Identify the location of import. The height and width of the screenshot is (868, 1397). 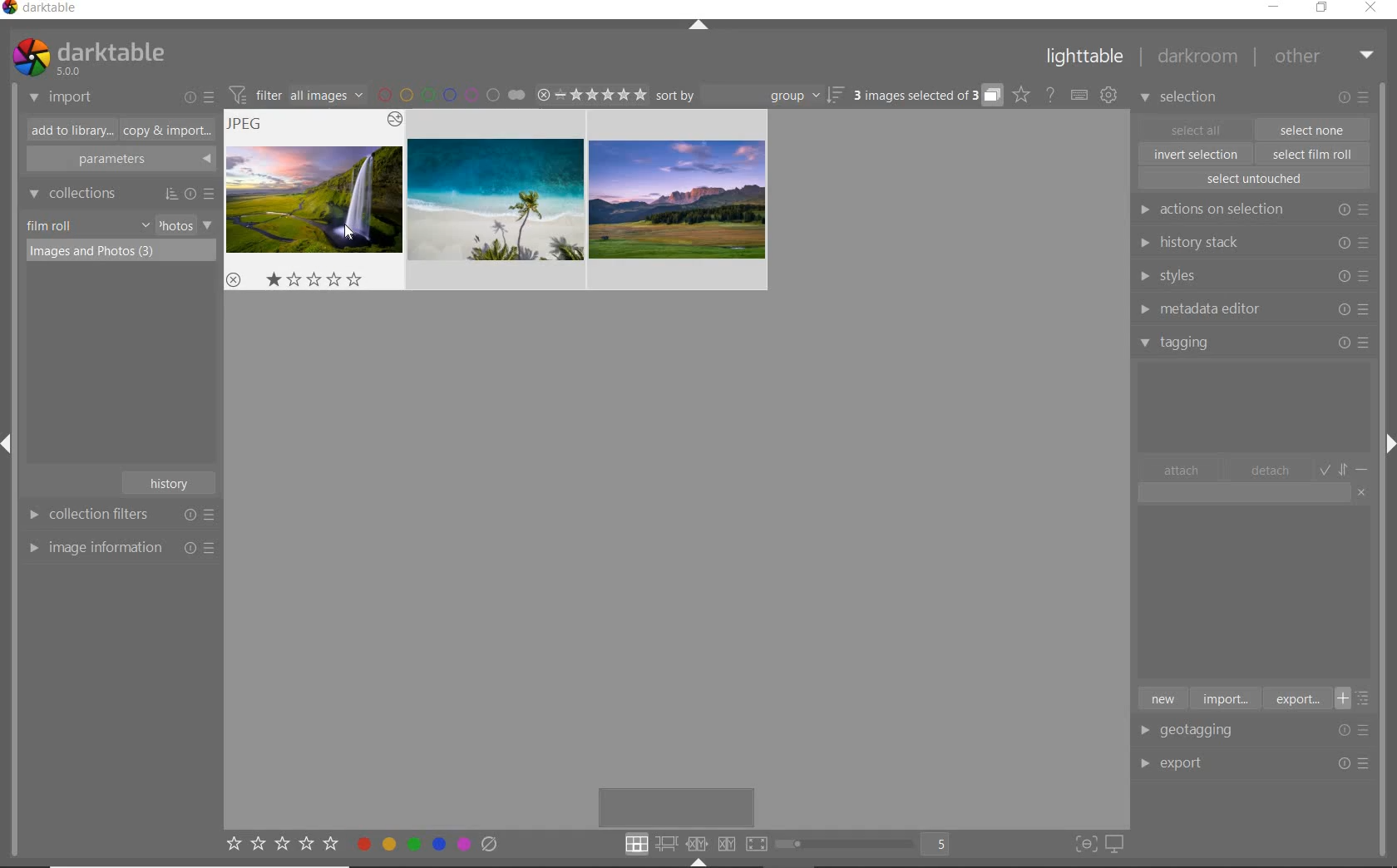
(62, 98).